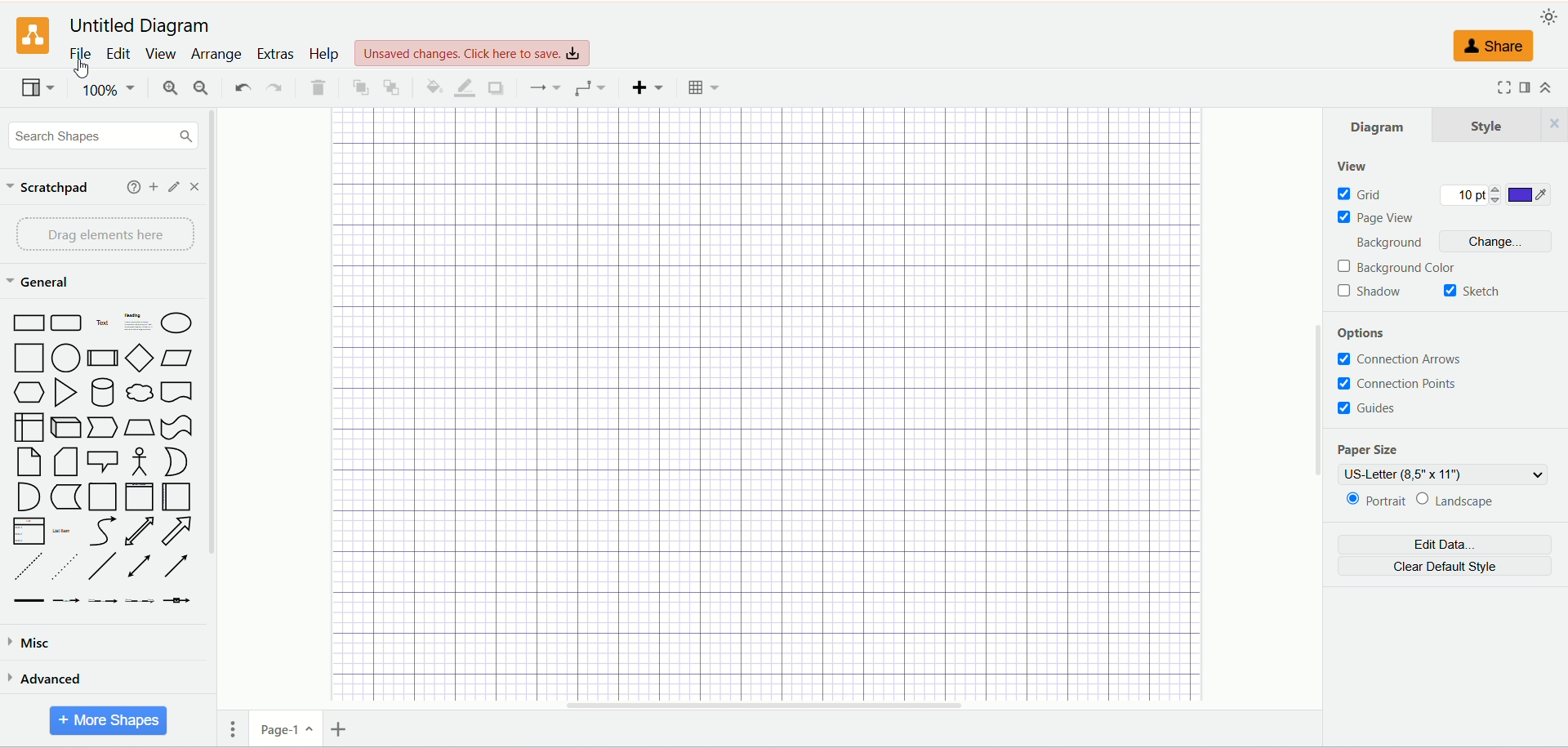 The height and width of the screenshot is (748, 1568). I want to click on zoom in, so click(167, 89).